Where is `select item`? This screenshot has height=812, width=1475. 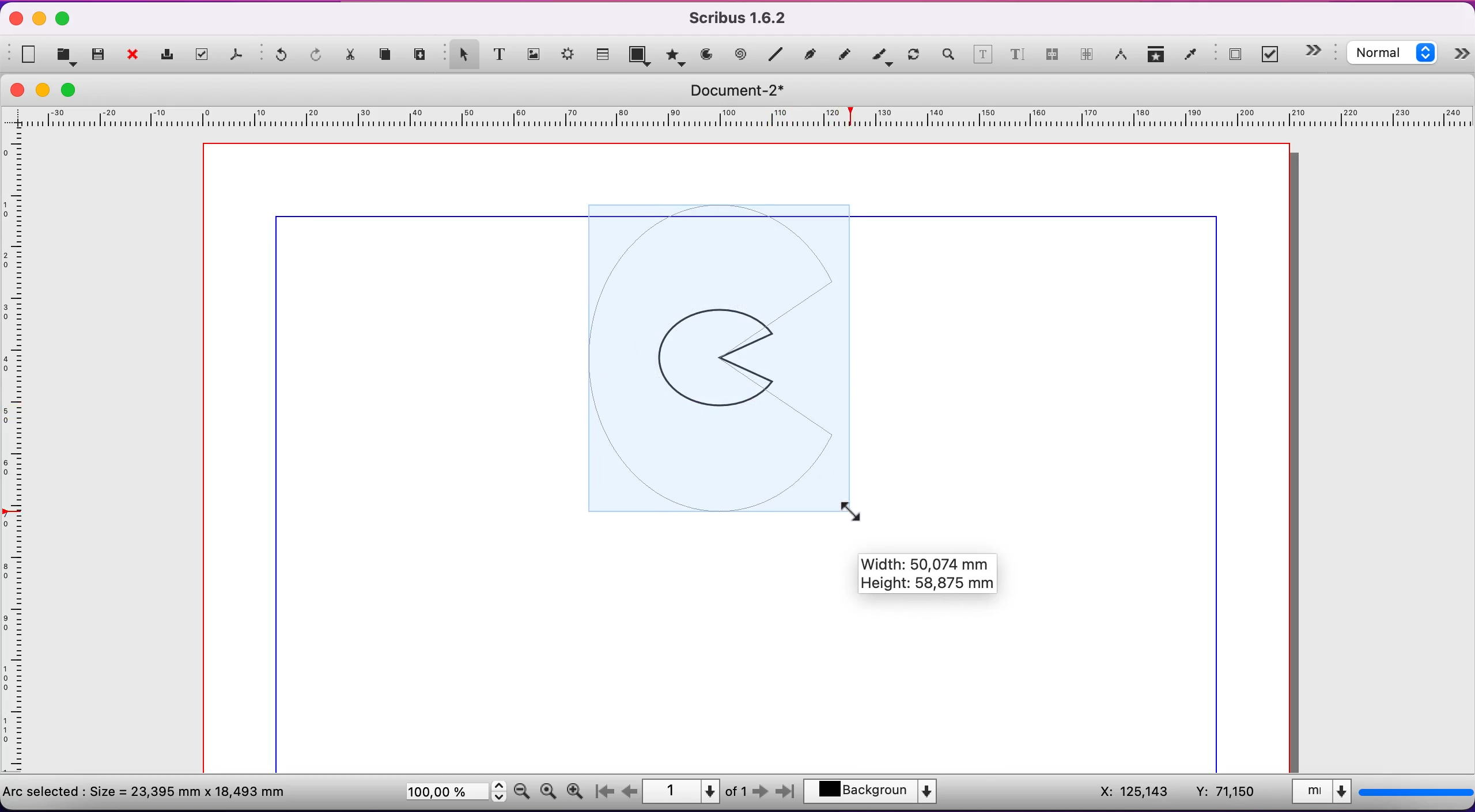
select item is located at coordinates (461, 53).